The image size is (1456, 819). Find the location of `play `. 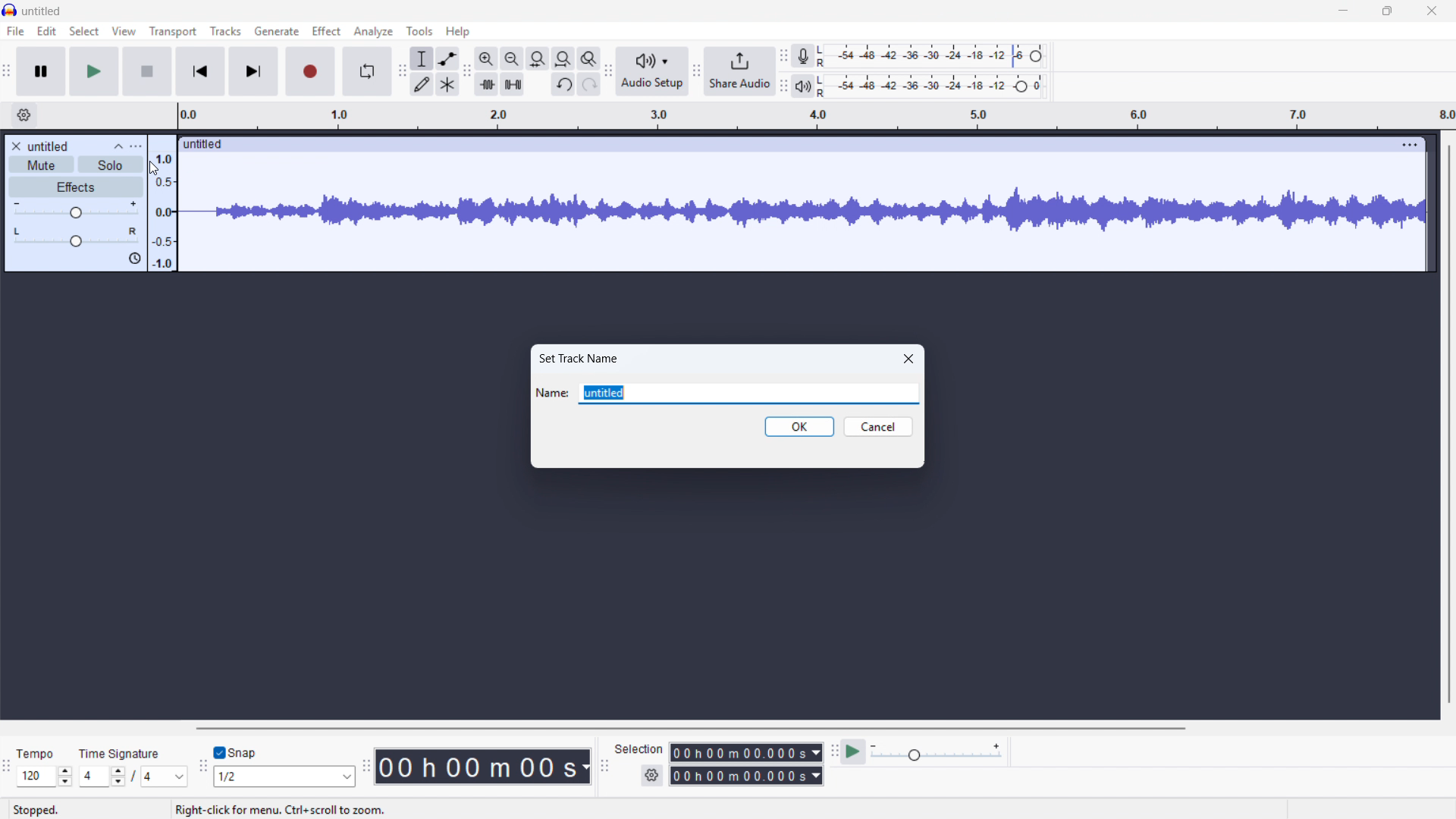

play  is located at coordinates (95, 72).